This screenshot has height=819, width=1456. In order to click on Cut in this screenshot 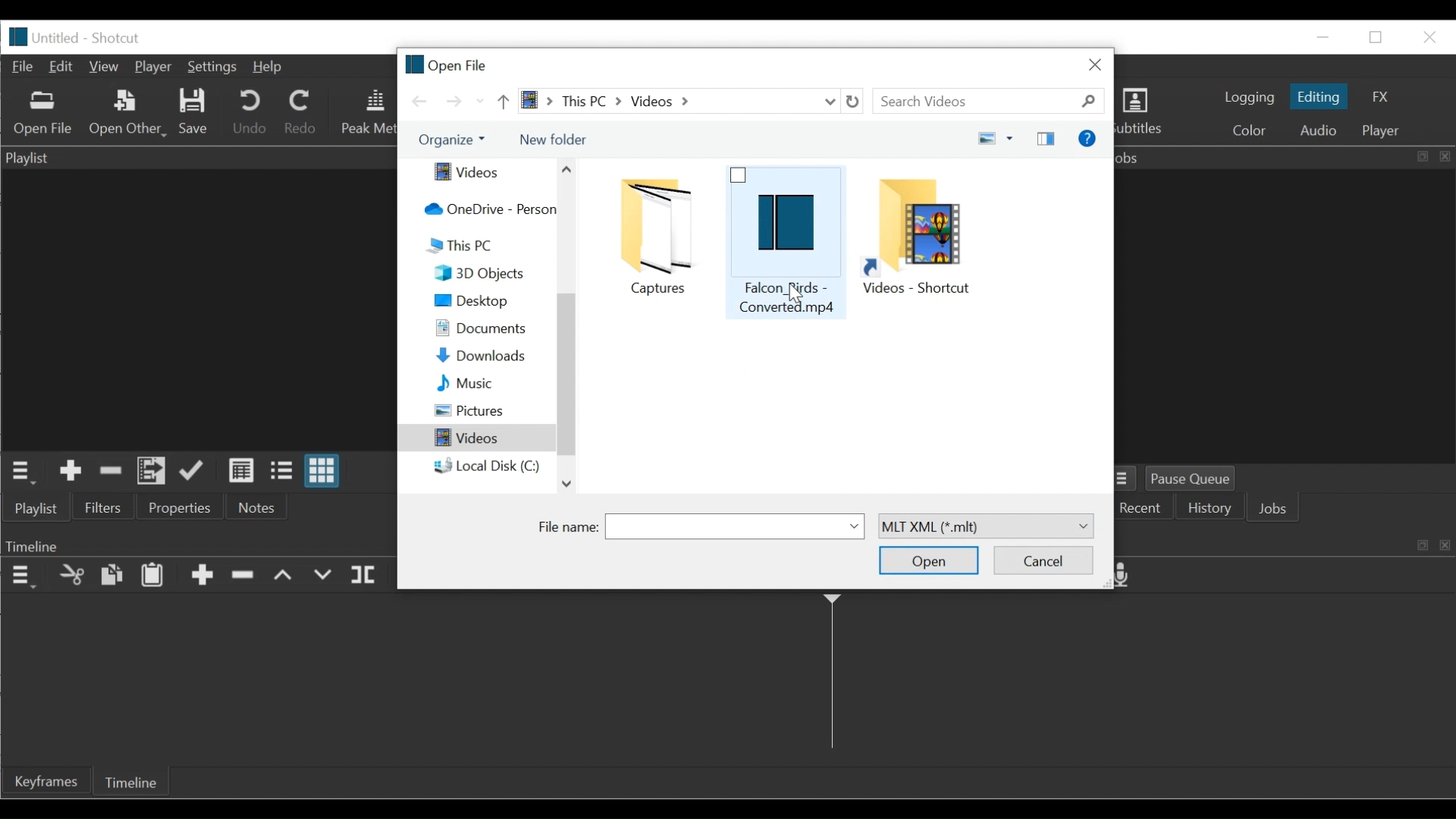, I will do `click(71, 576)`.